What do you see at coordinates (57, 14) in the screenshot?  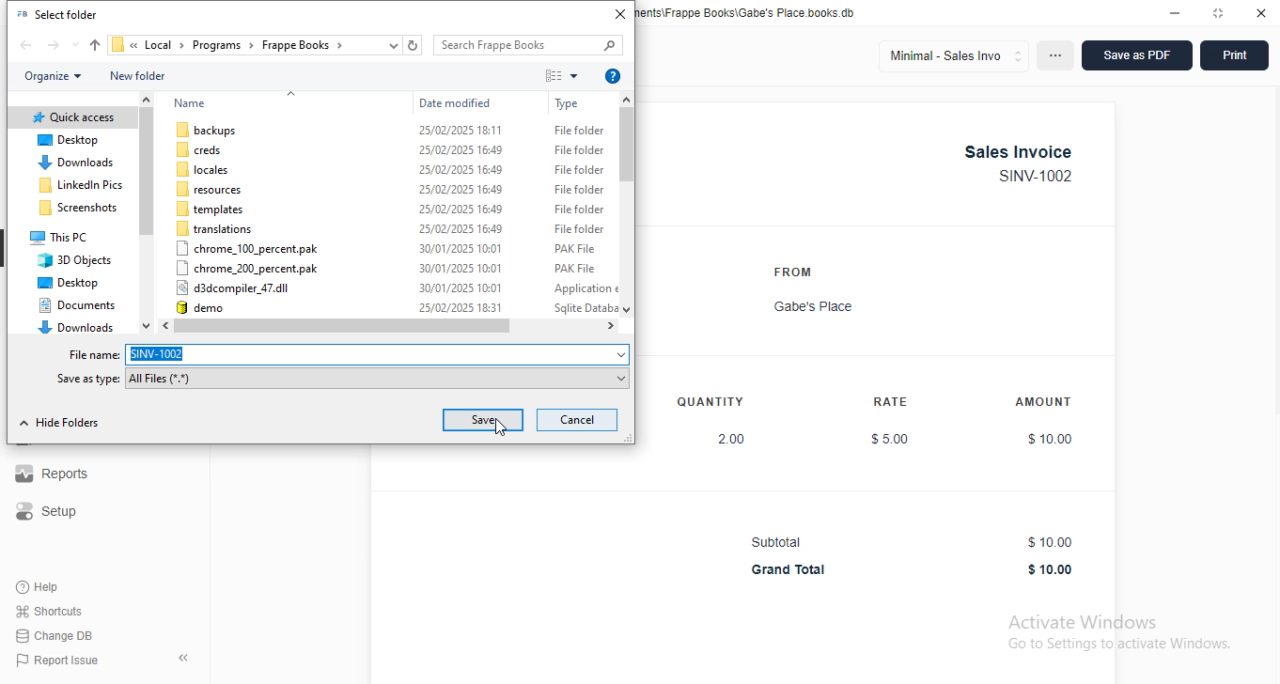 I see `select folder` at bounding box center [57, 14].